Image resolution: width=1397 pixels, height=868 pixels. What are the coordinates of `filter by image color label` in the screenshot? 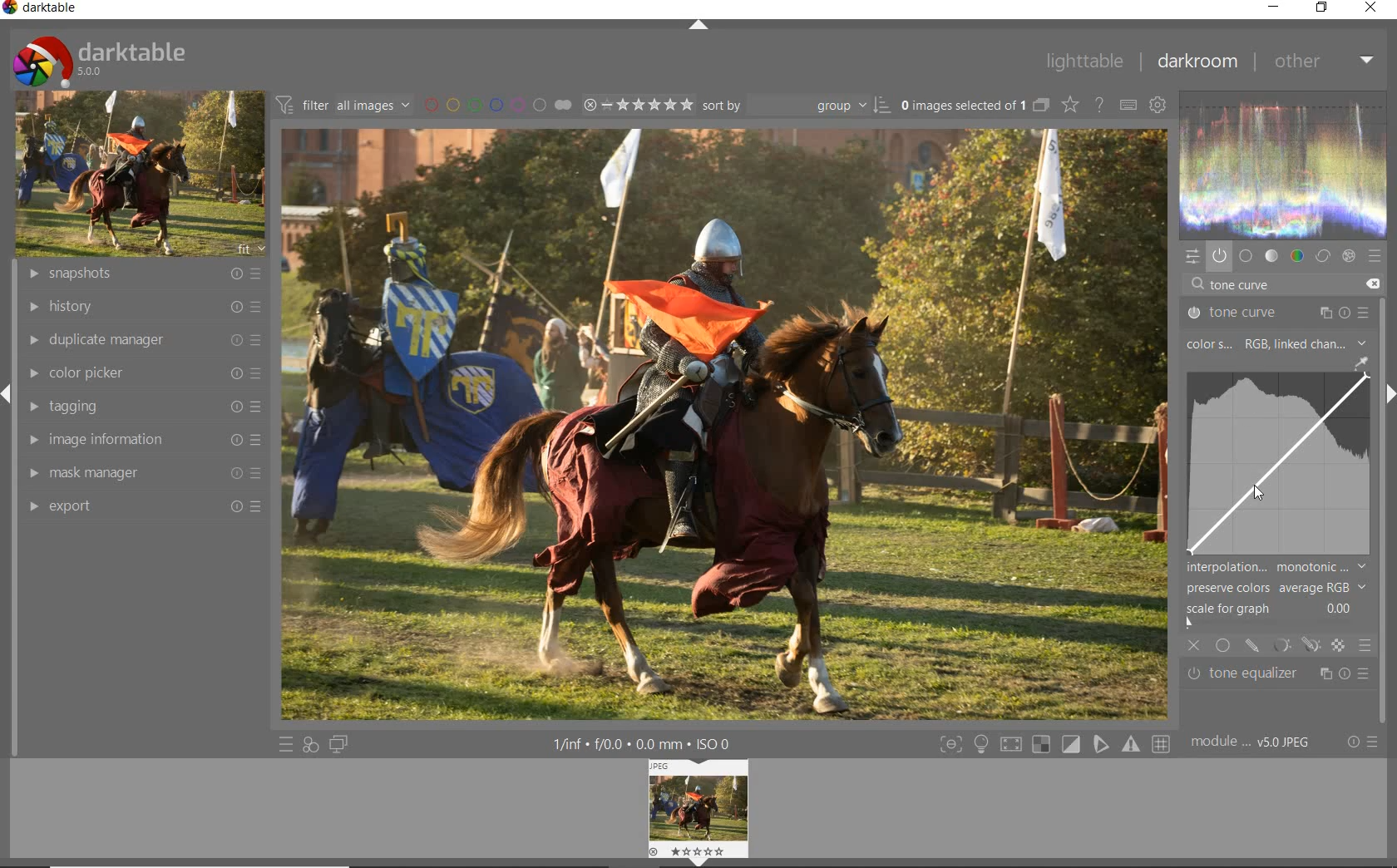 It's located at (496, 104).